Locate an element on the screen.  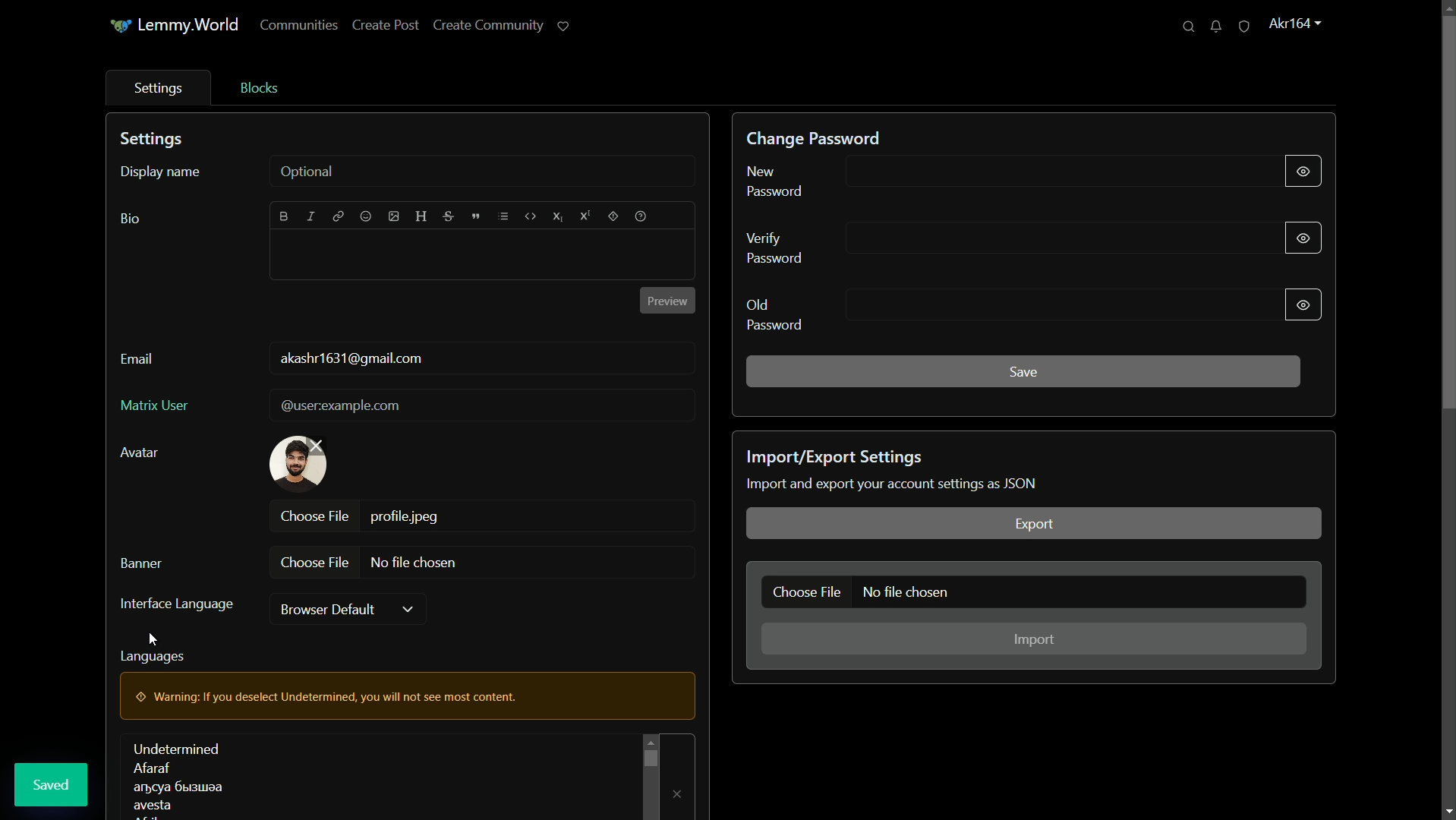
search is located at coordinates (1187, 27).